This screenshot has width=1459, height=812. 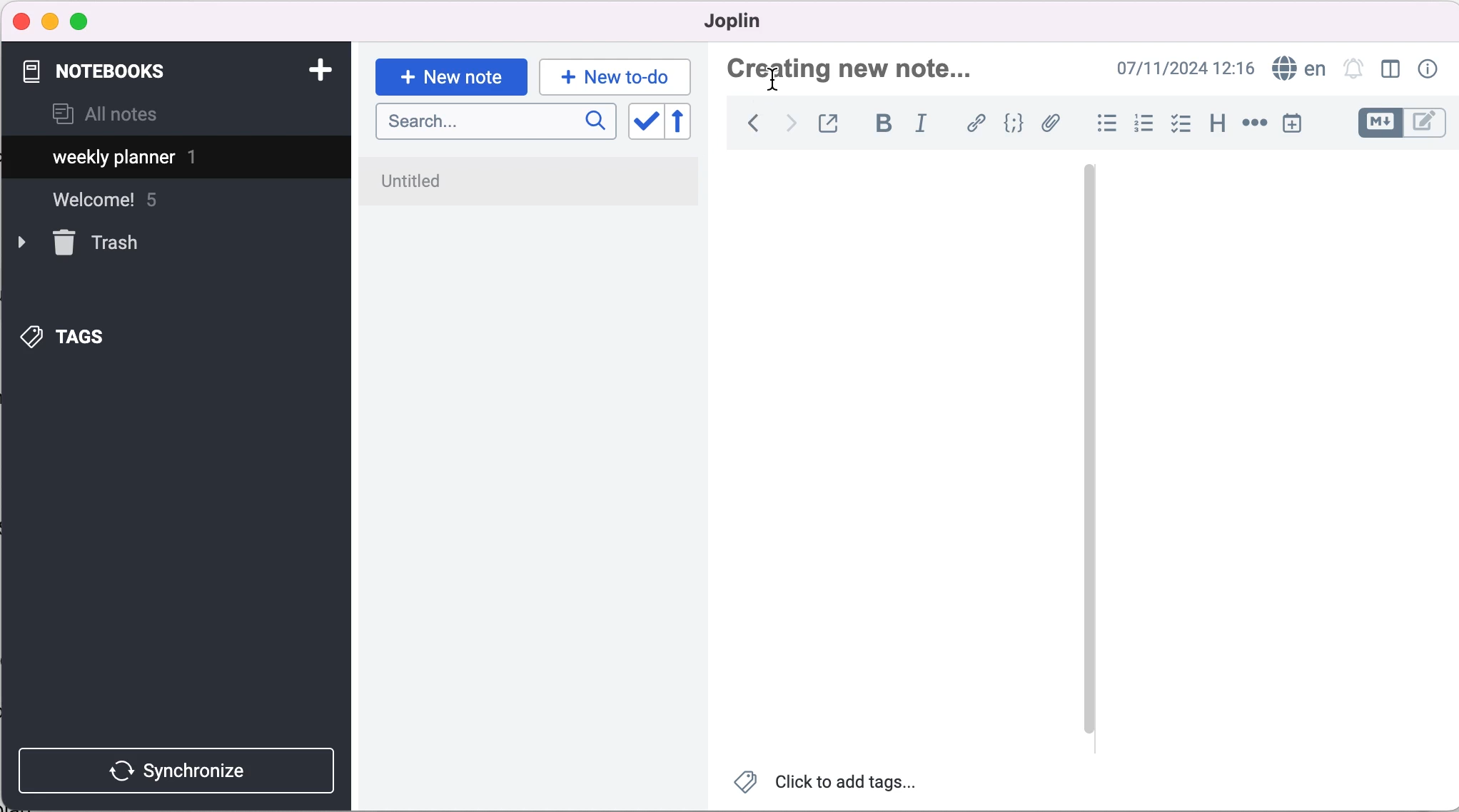 I want to click on click to add tags, so click(x=836, y=785).